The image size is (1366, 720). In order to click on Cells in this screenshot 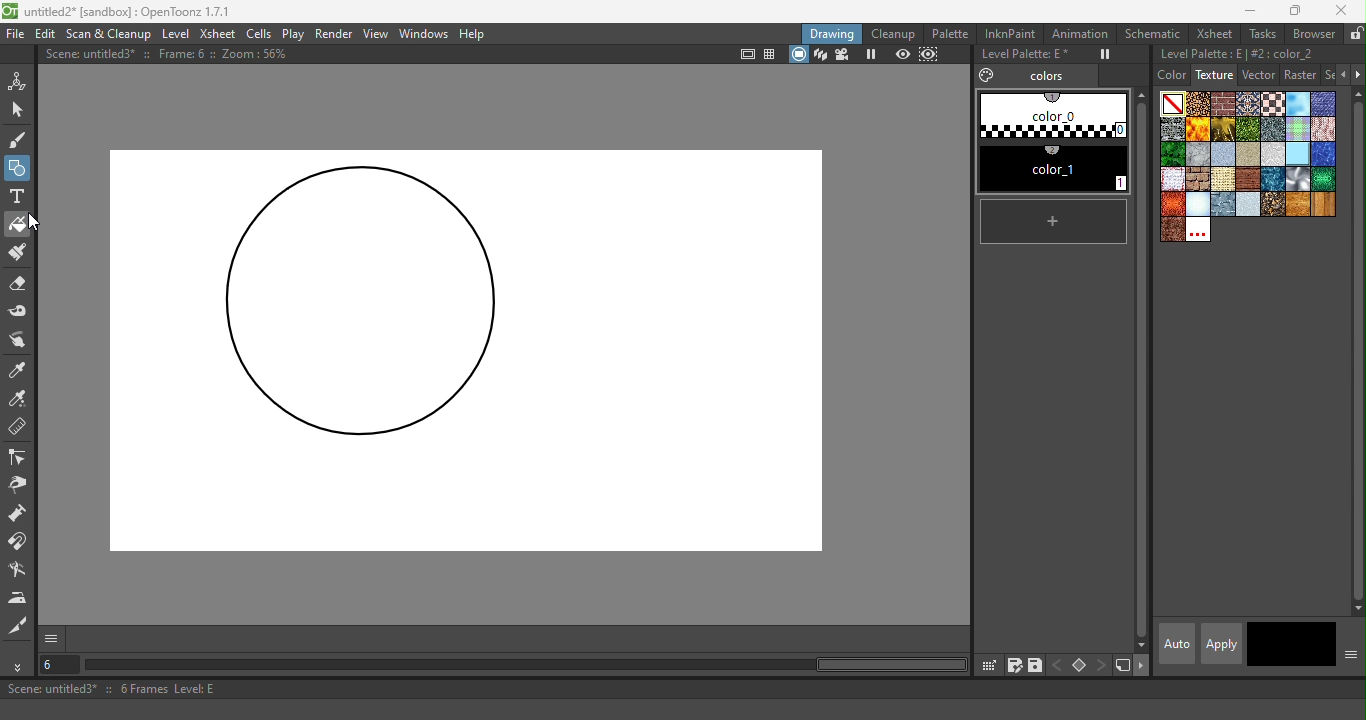, I will do `click(258, 34)`.